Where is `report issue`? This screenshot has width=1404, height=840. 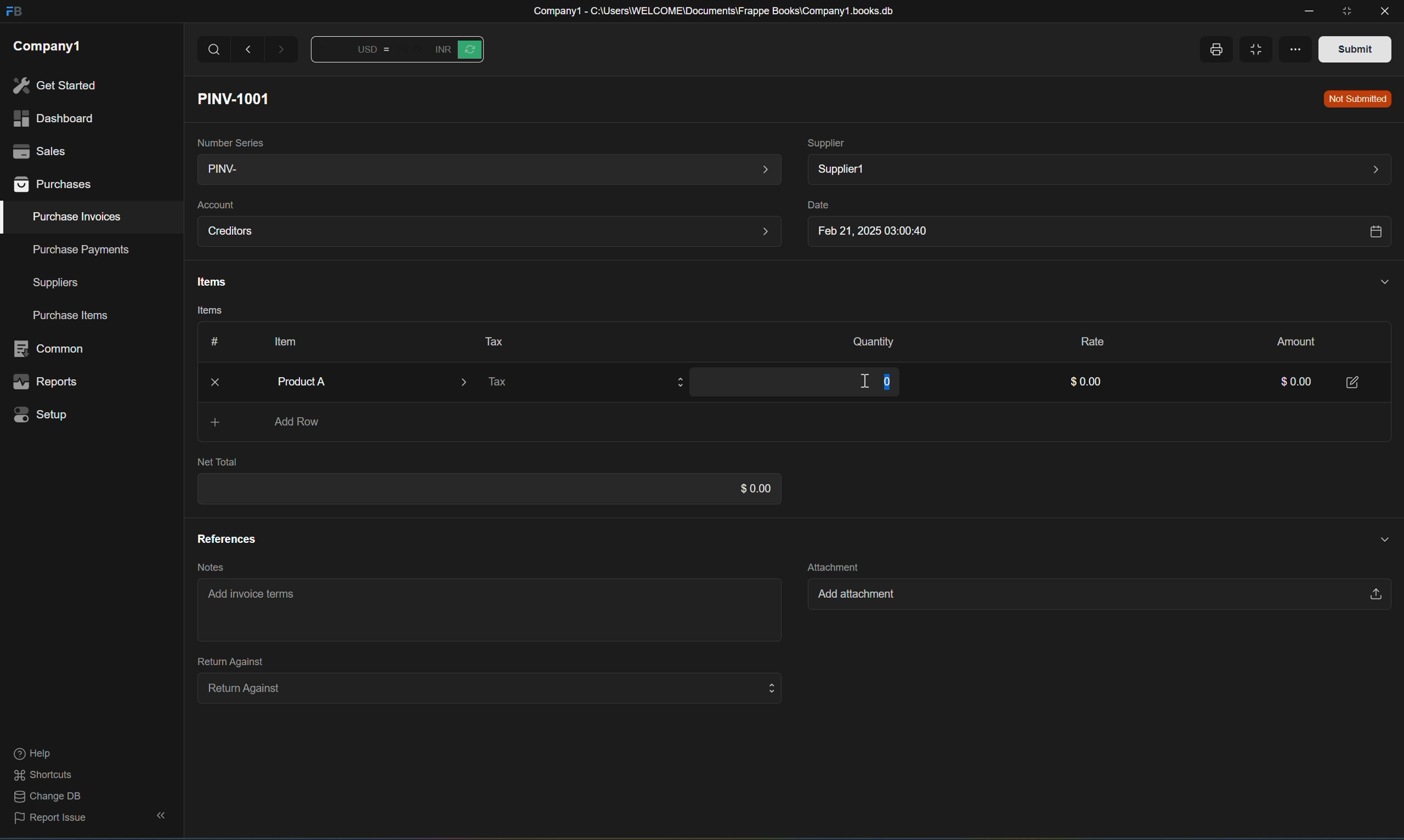 report issue is located at coordinates (51, 821).